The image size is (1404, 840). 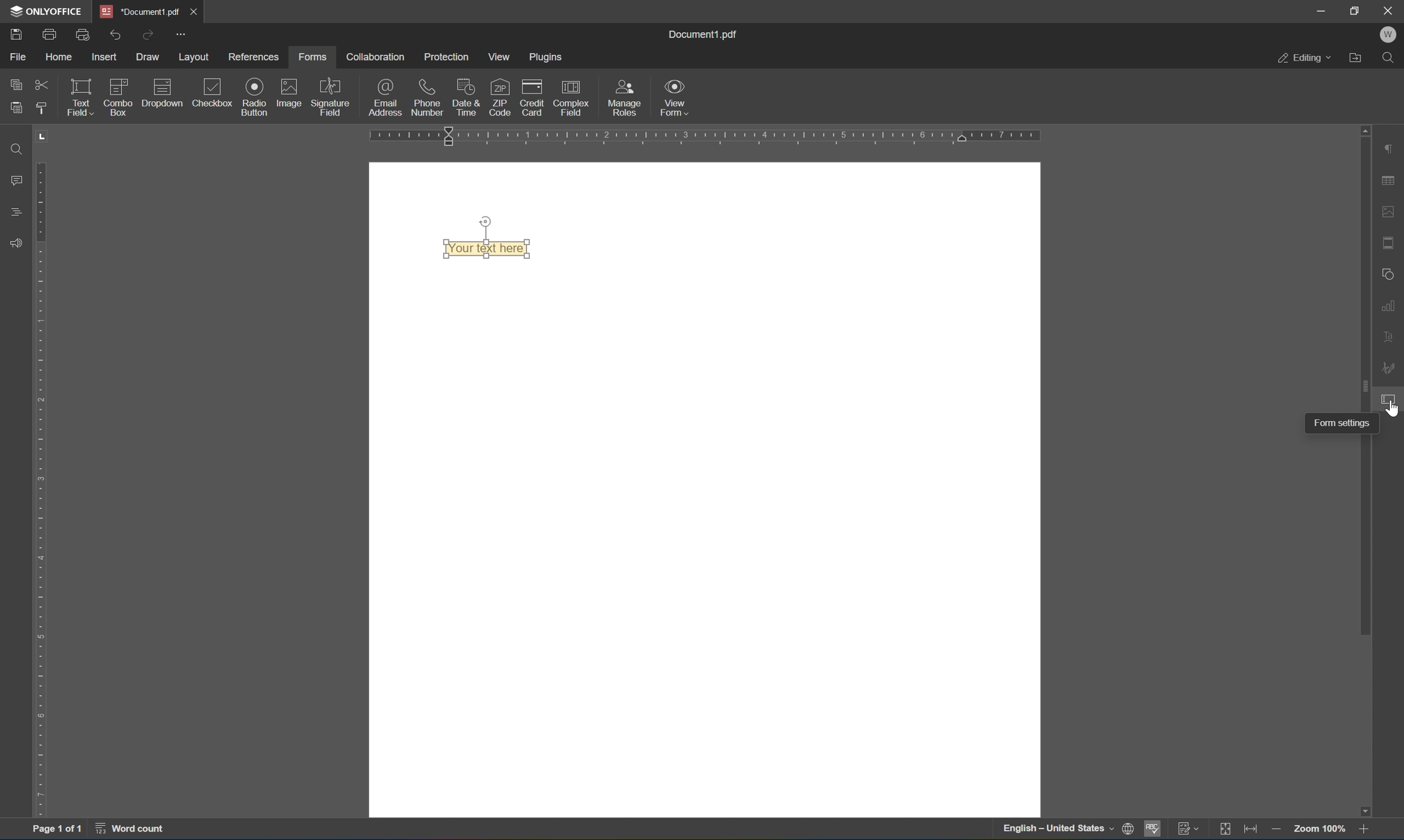 What do you see at coordinates (1368, 808) in the screenshot?
I see `scroll down` at bounding box center [1368, 808].